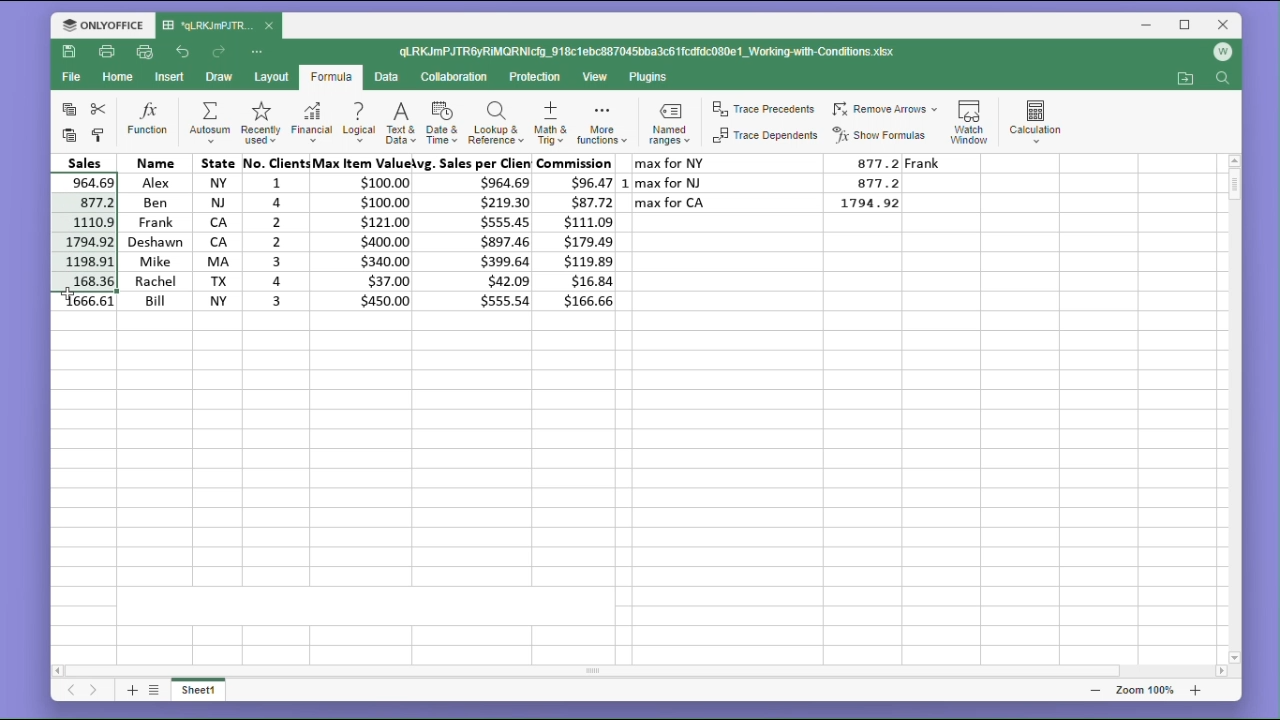 The image size is (1280, 720). I want to click on zoom 100%, so click(1141, 690).